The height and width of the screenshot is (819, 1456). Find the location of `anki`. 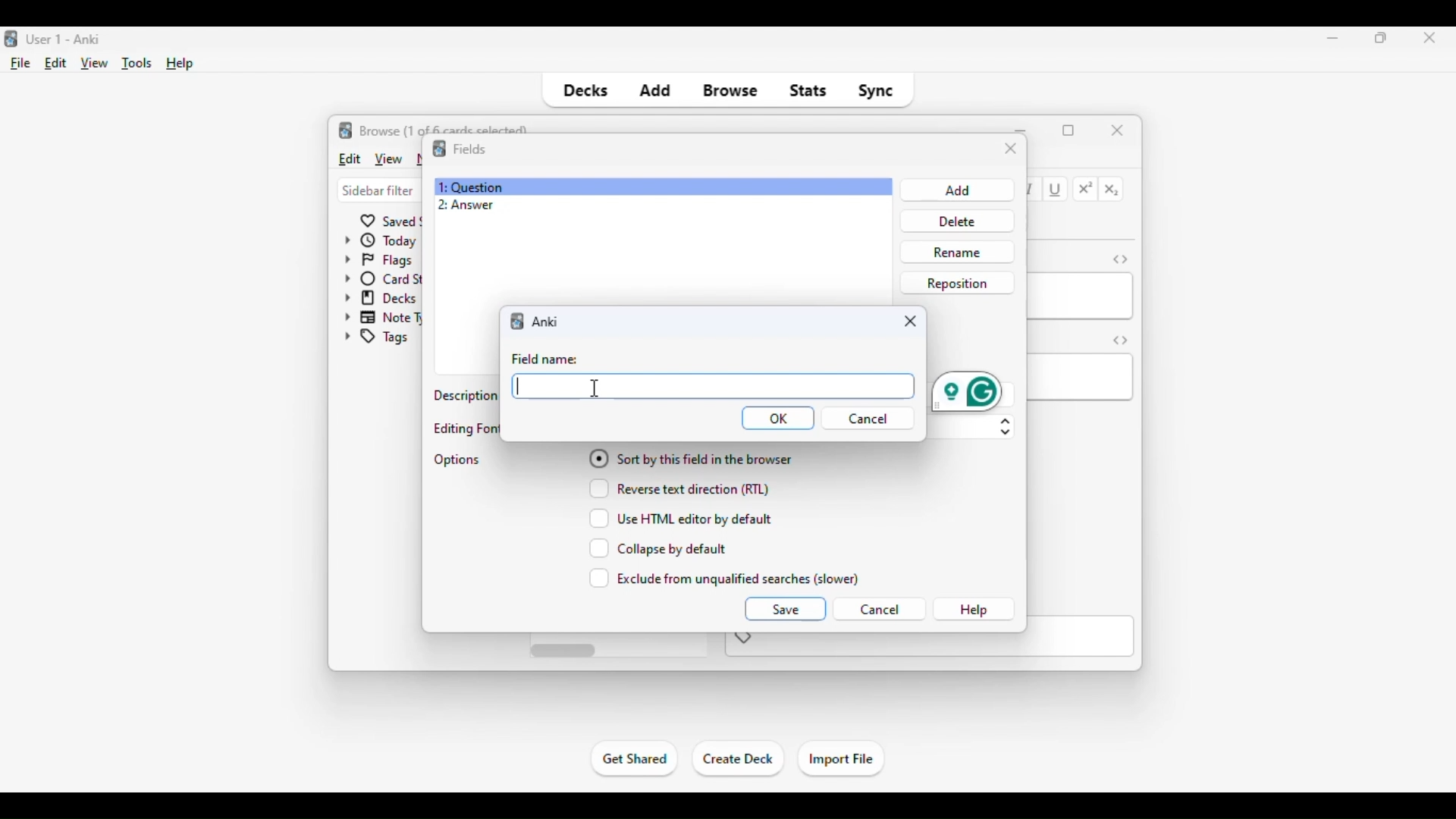

anki is located at coordinates (548, 322).